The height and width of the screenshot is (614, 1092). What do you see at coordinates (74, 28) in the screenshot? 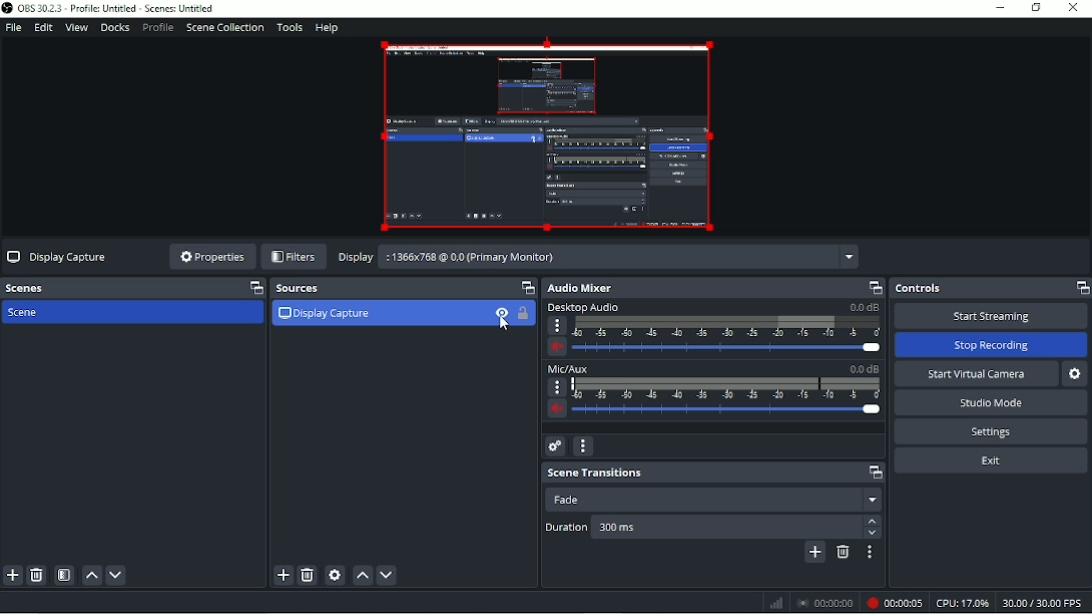
I see `View` at bounding box center [74, 28].